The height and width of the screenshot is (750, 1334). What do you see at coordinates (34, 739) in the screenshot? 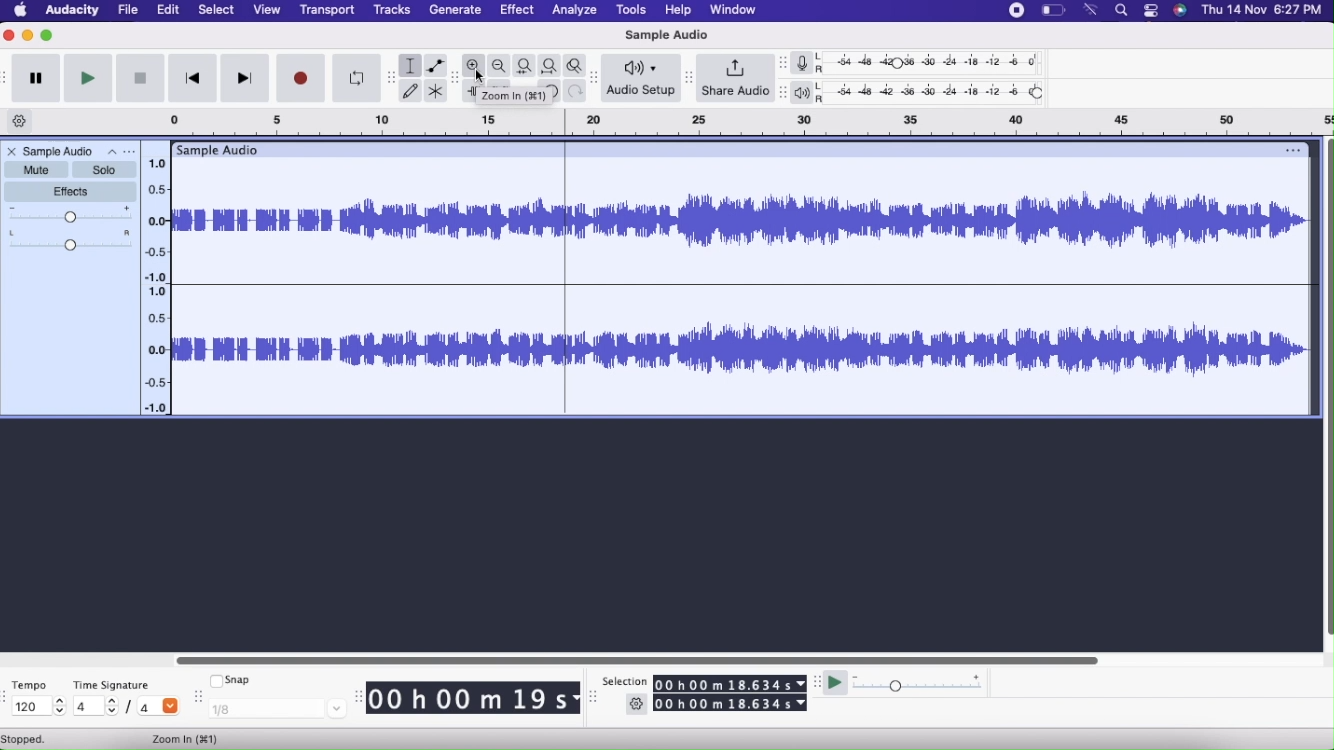
I see `stopped` at bounding box center [34, 739].